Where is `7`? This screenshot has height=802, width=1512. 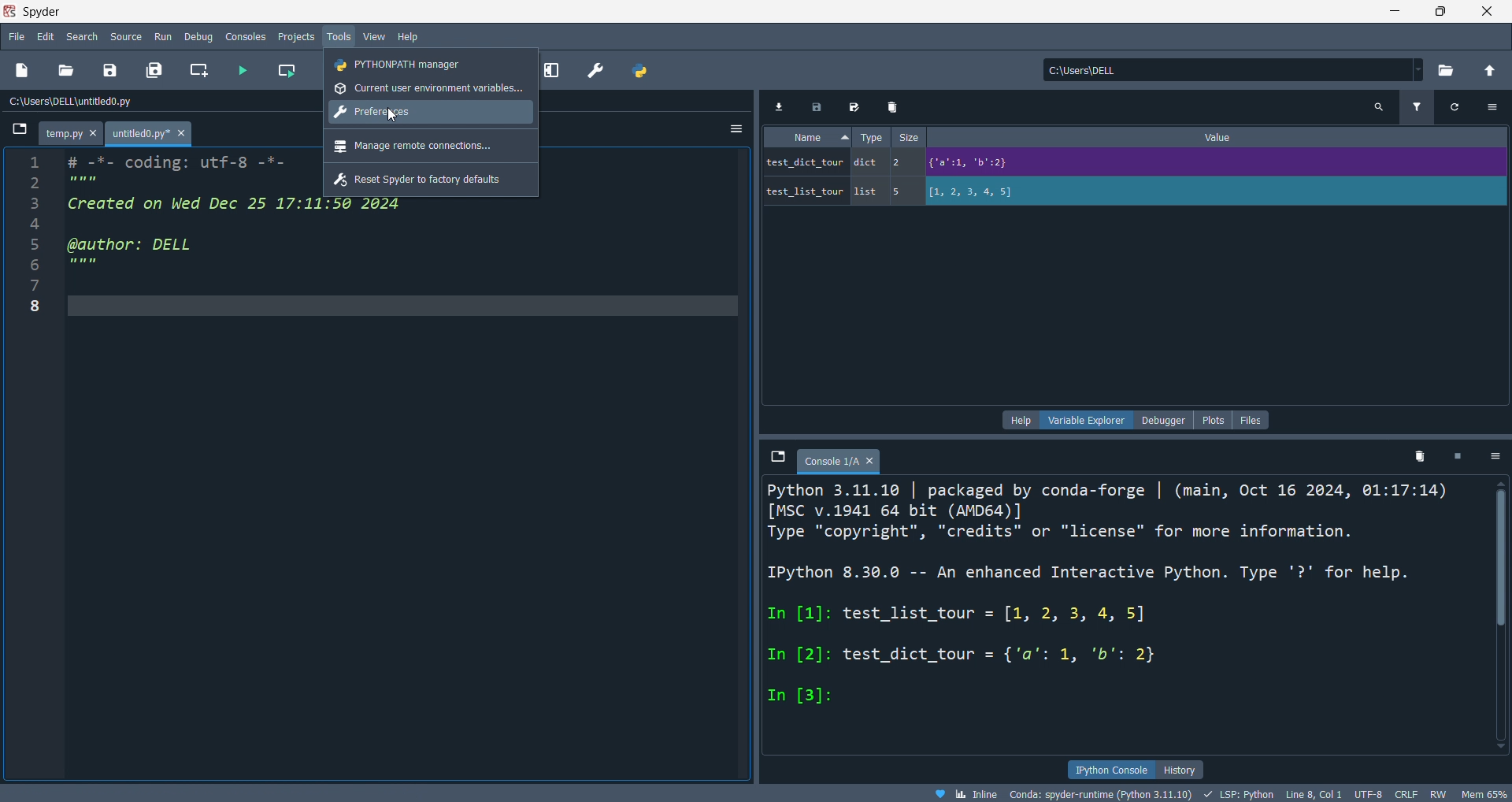
7 is located at coordinates (46, 287).